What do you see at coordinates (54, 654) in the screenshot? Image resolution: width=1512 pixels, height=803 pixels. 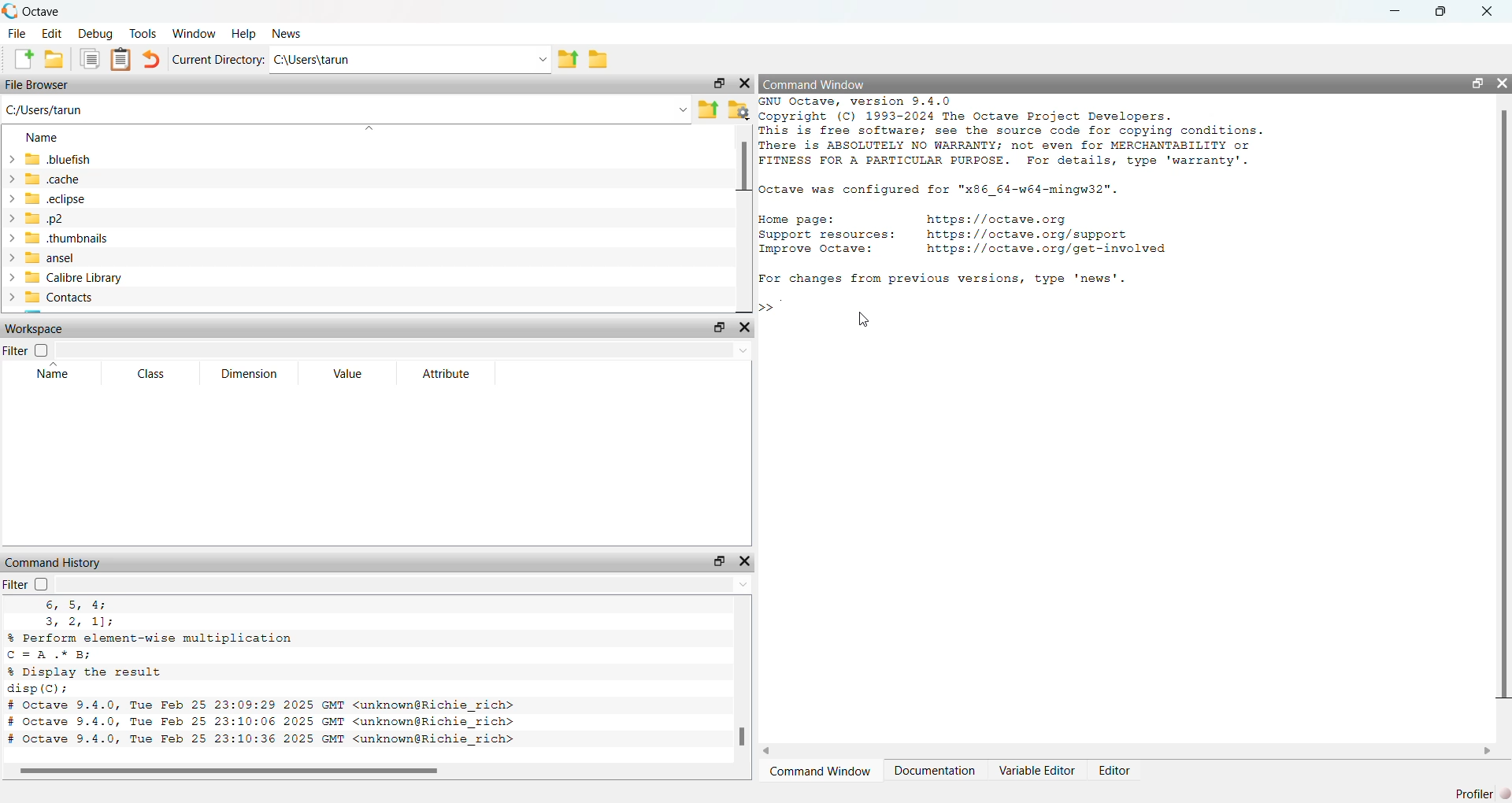 I see `C =A .* B;` at bounding box center [54, 654].